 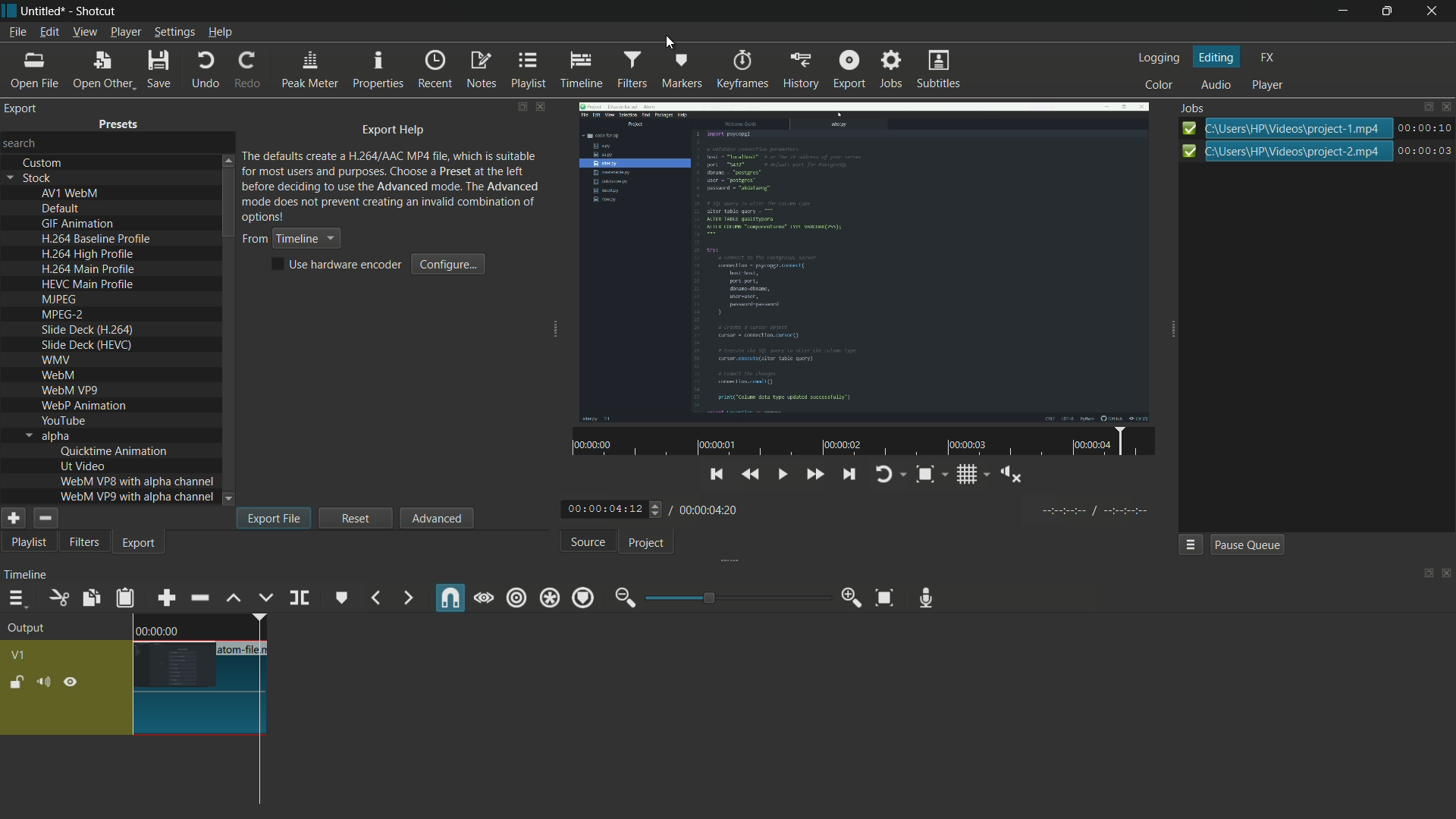 I want to click on ripple delete, so click(x=199, y=598).